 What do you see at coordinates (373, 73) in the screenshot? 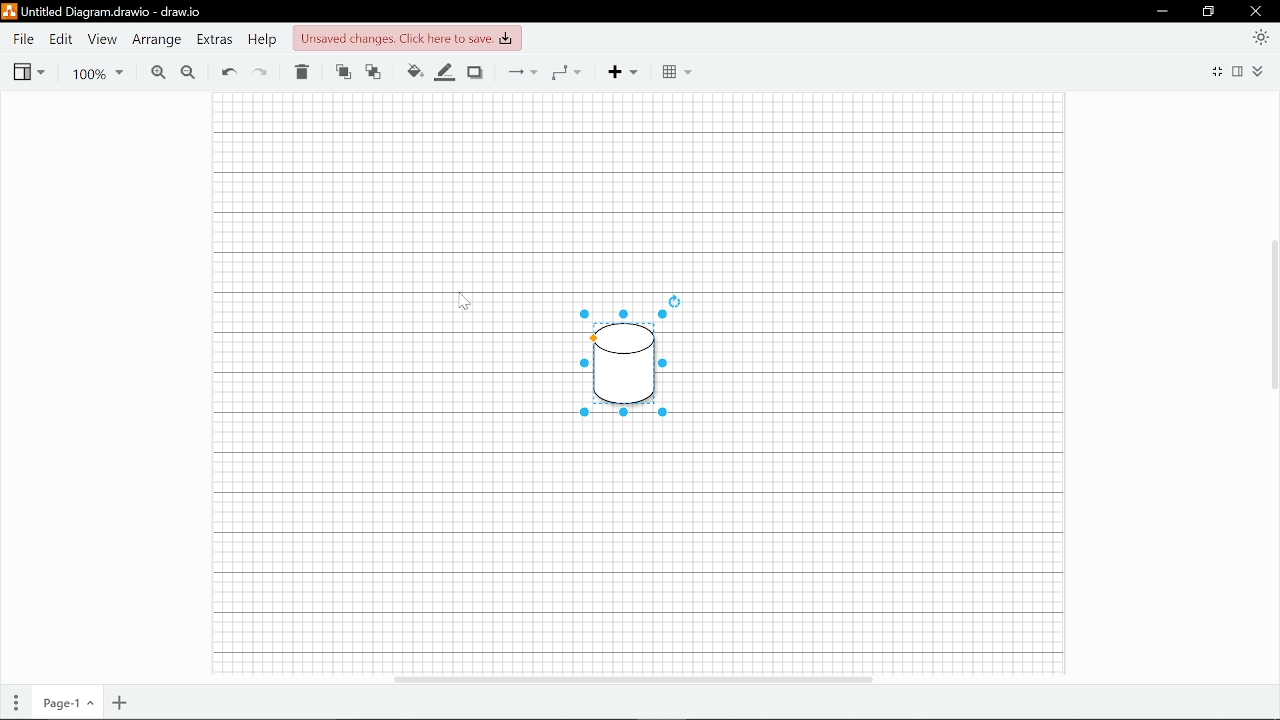
I see `To back` at bounding box center [373, 73].